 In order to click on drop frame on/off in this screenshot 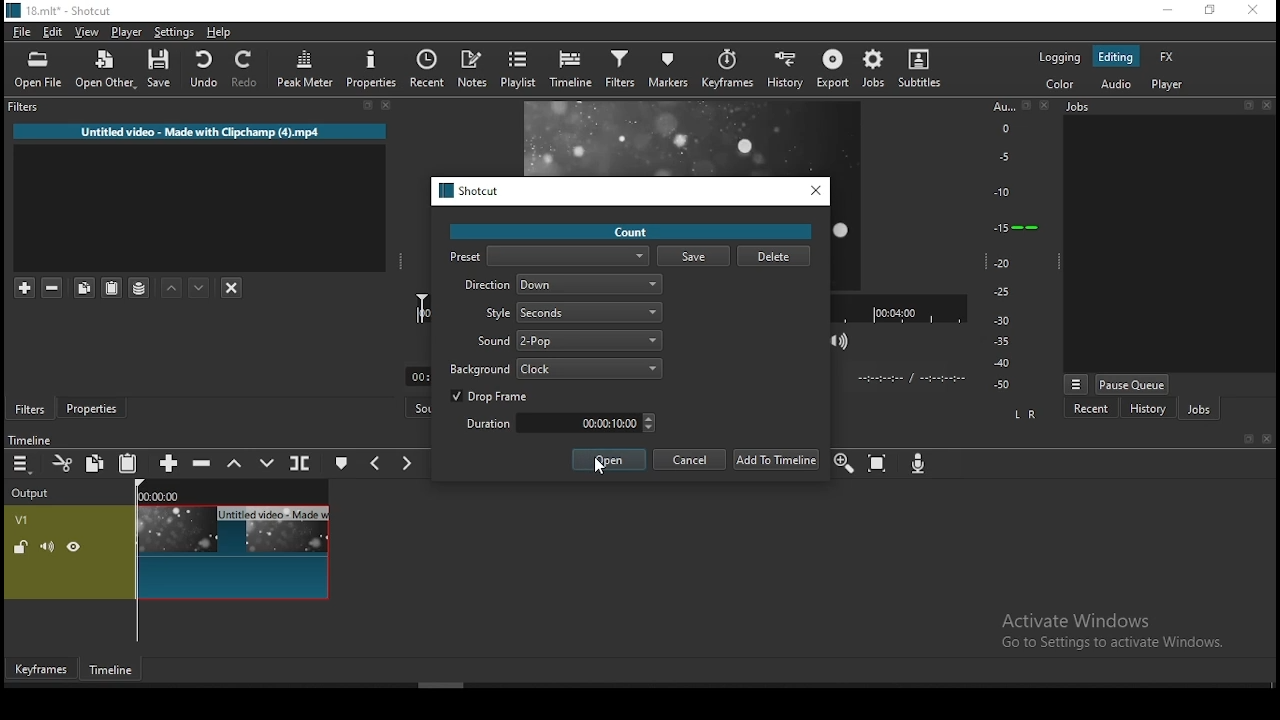, I will do `click(490, 394)`.